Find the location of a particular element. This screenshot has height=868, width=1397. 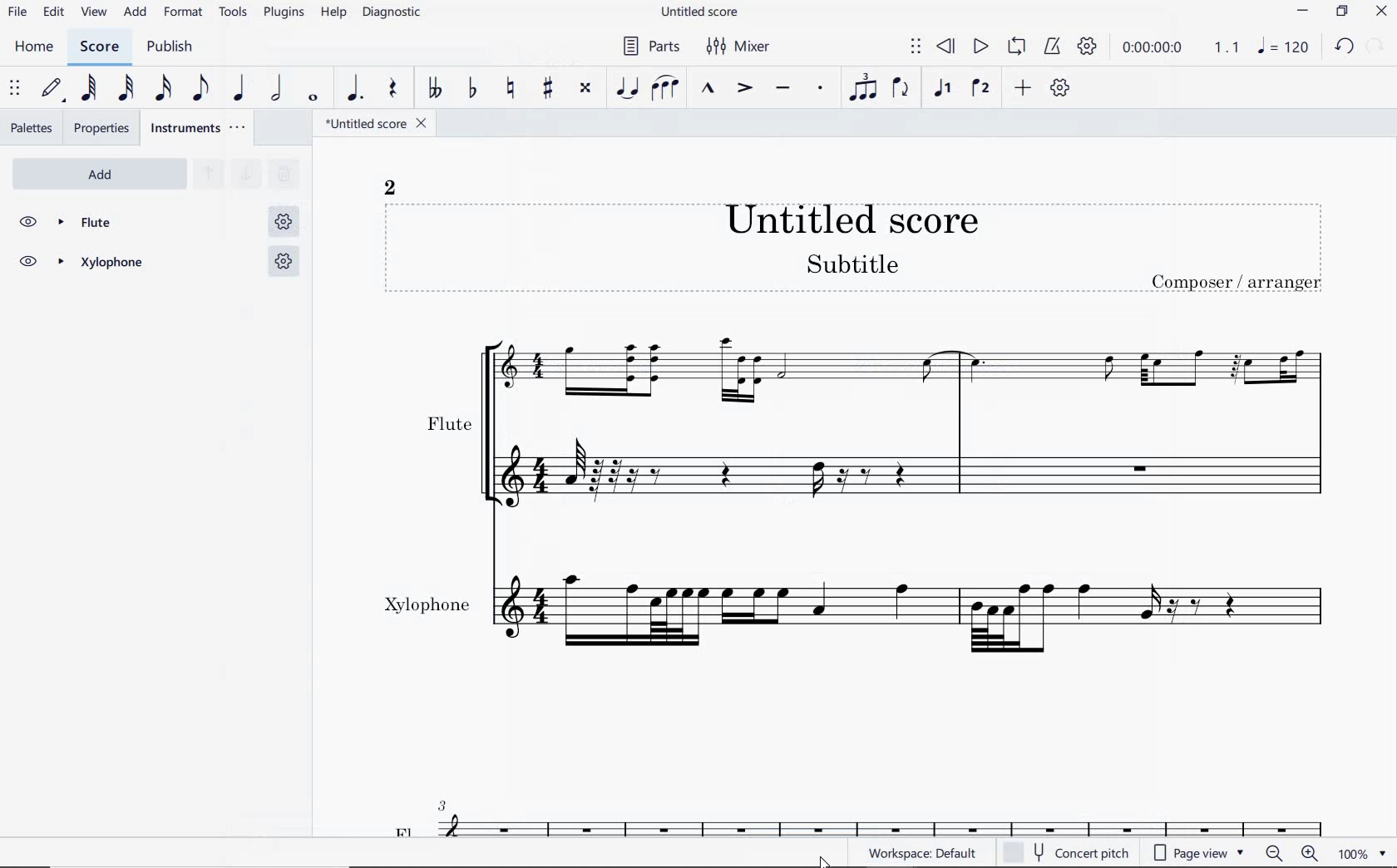

DEFAULT (STEP TIME) is located at coordinates (52, 91).